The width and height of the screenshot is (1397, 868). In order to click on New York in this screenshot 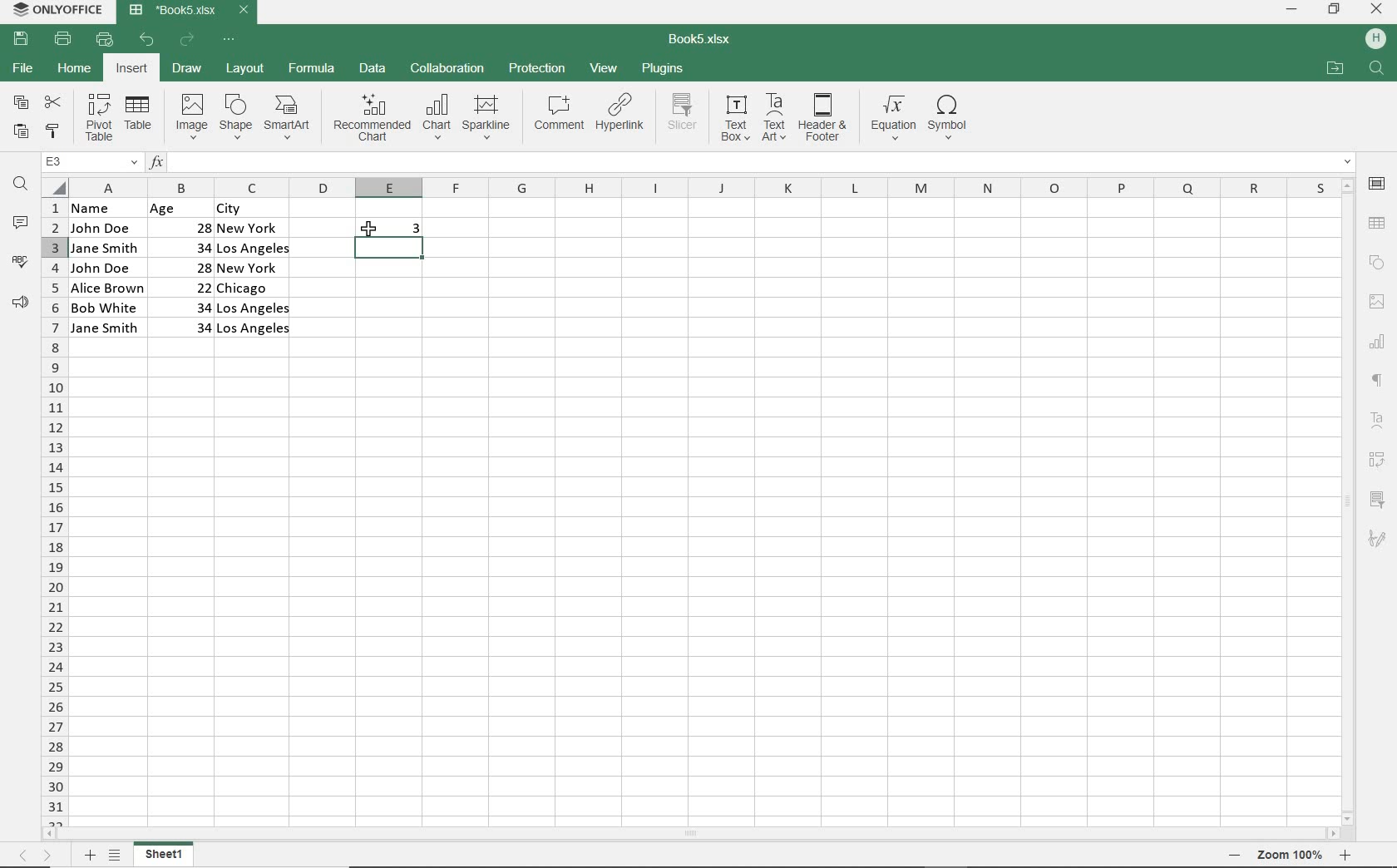, I will do `click(250, 269)`.